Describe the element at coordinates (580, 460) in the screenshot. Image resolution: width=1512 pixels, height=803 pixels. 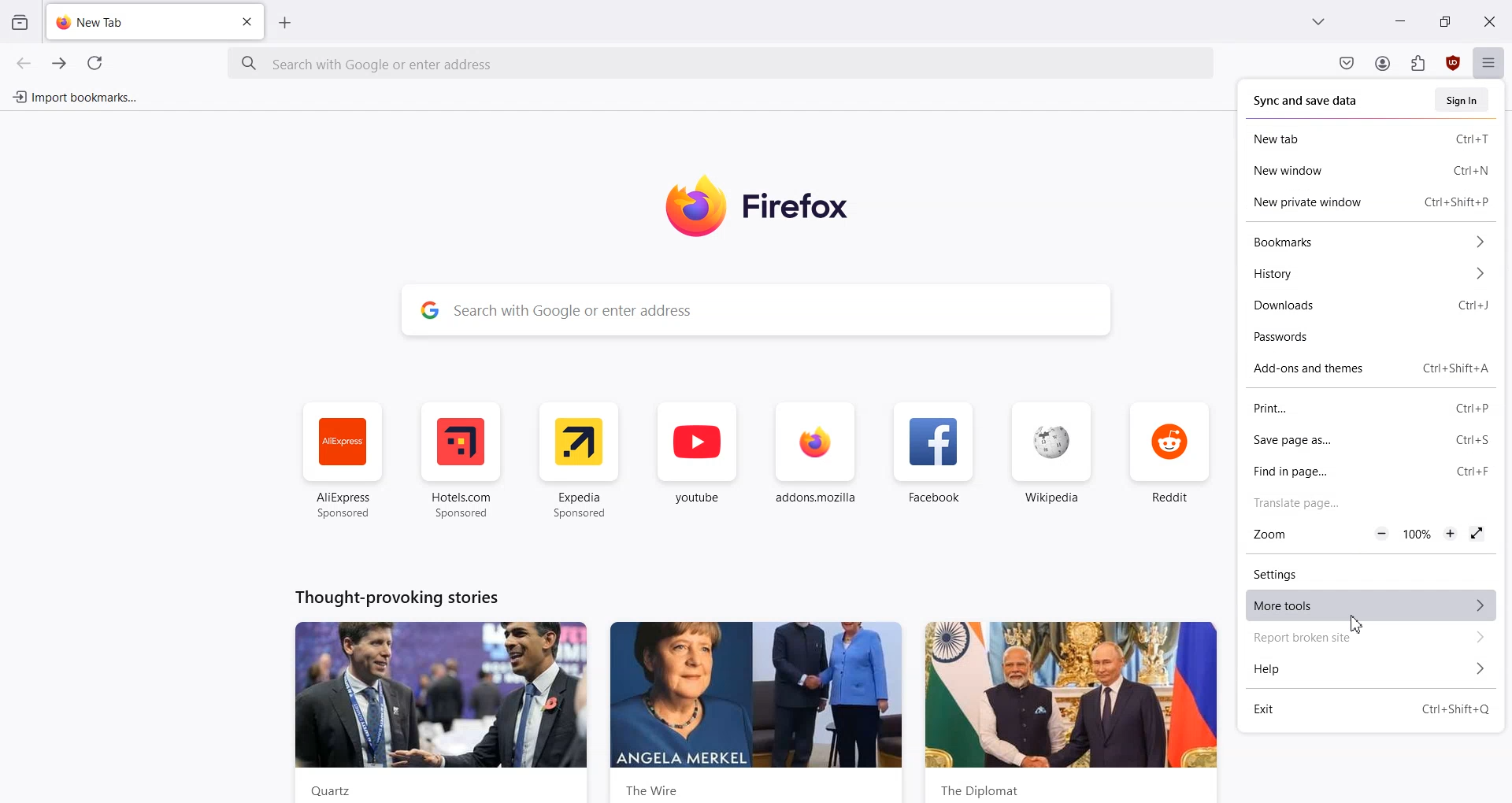
I see `Expedia Sponsored` at that location.